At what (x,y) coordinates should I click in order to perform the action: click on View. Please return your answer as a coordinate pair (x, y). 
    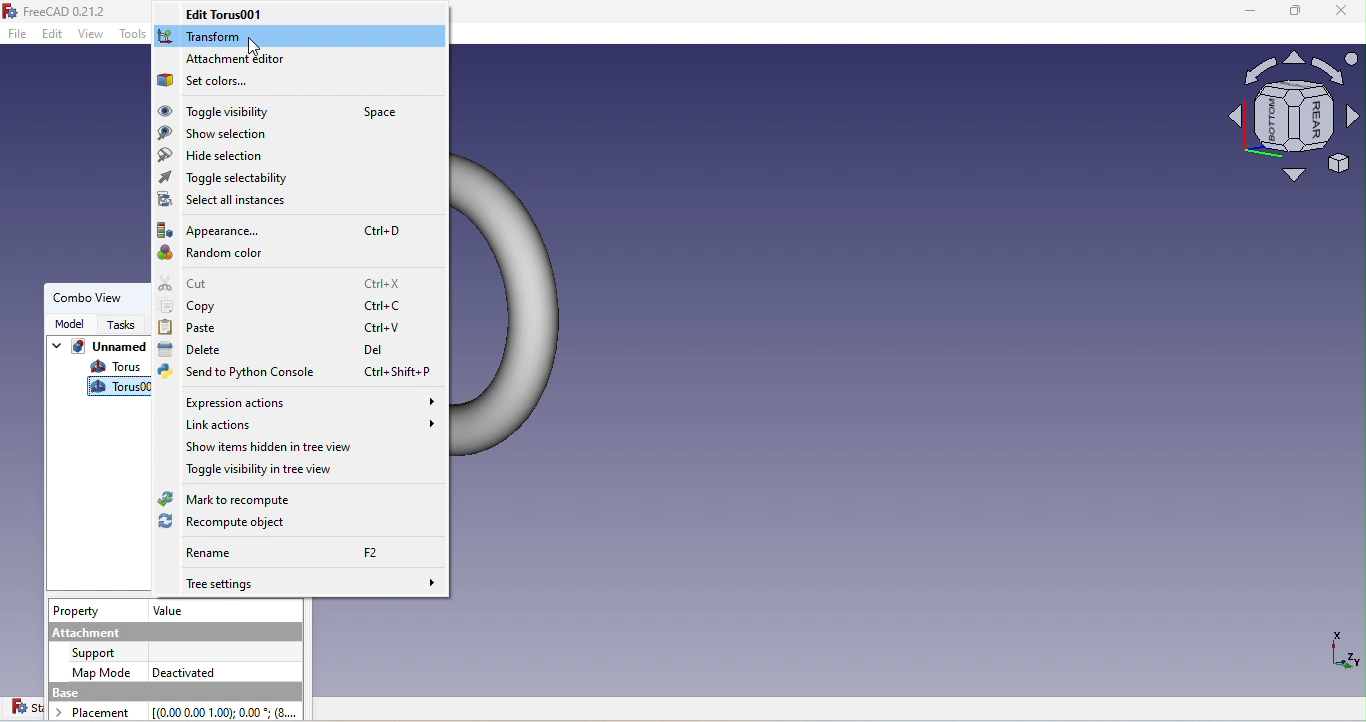
    Looking at the image, I should click on (92, 35).